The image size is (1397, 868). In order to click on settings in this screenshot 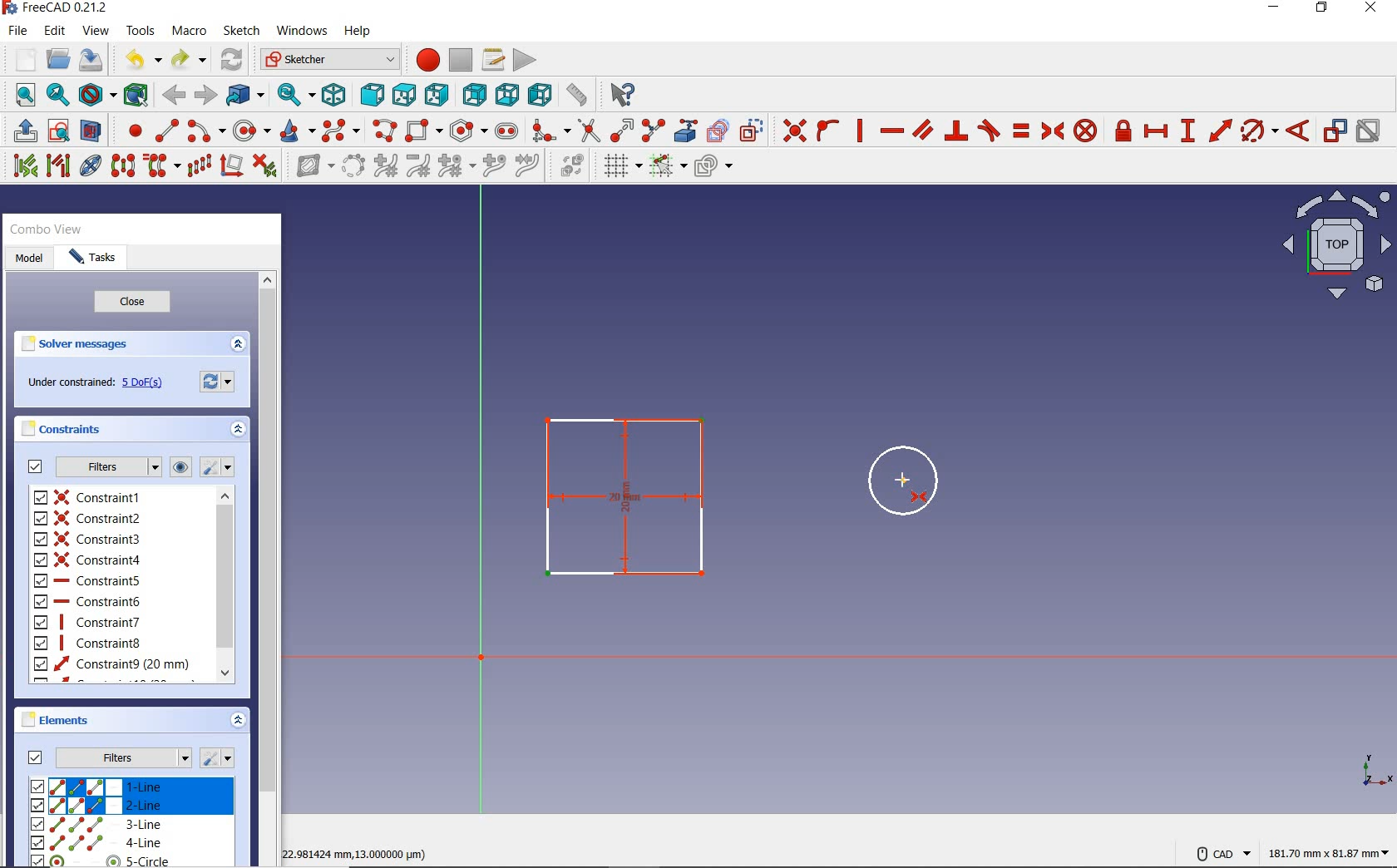, I will do `click(219, 467)`.